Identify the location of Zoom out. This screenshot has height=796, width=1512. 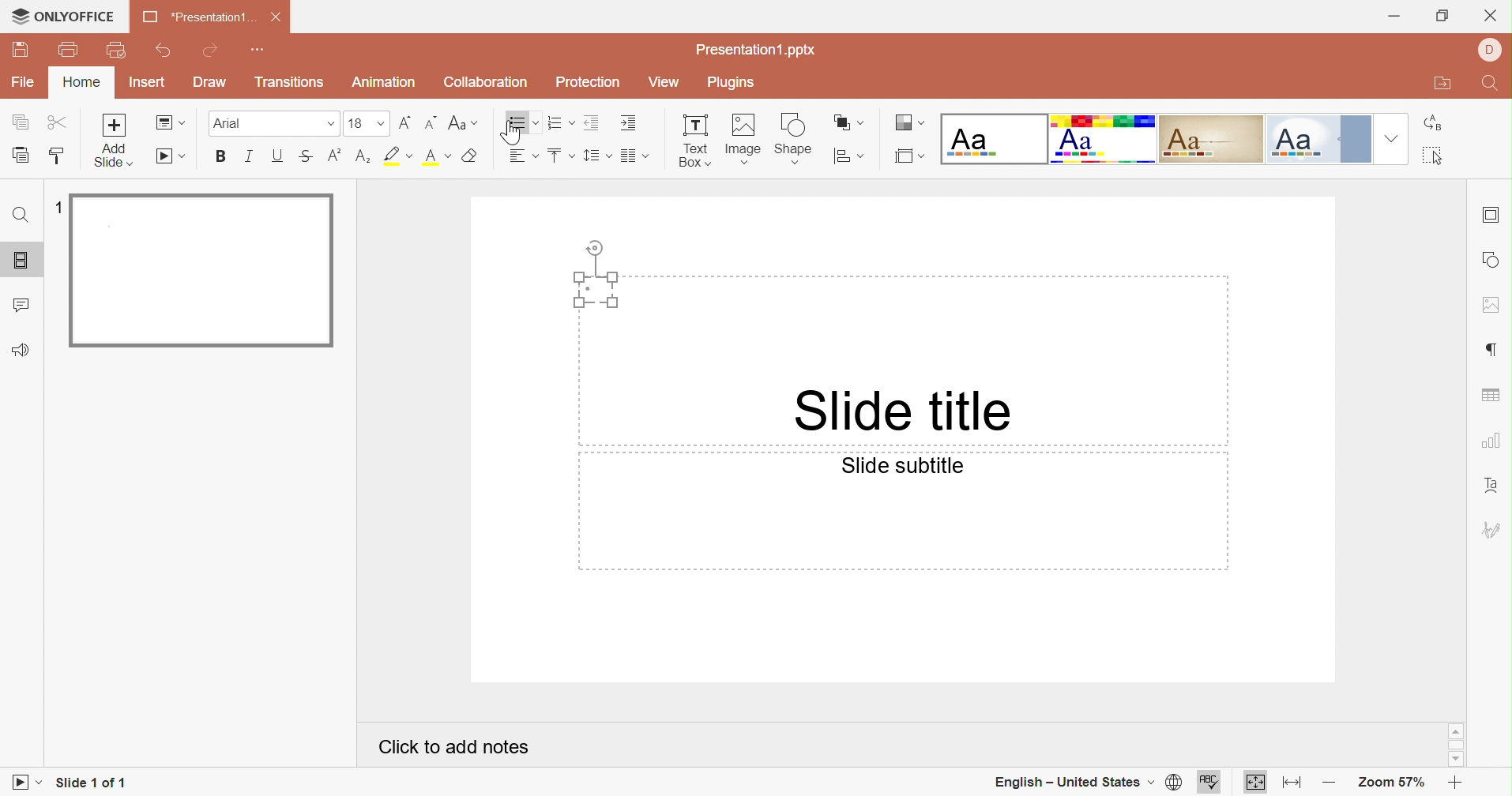
(1330, 782).